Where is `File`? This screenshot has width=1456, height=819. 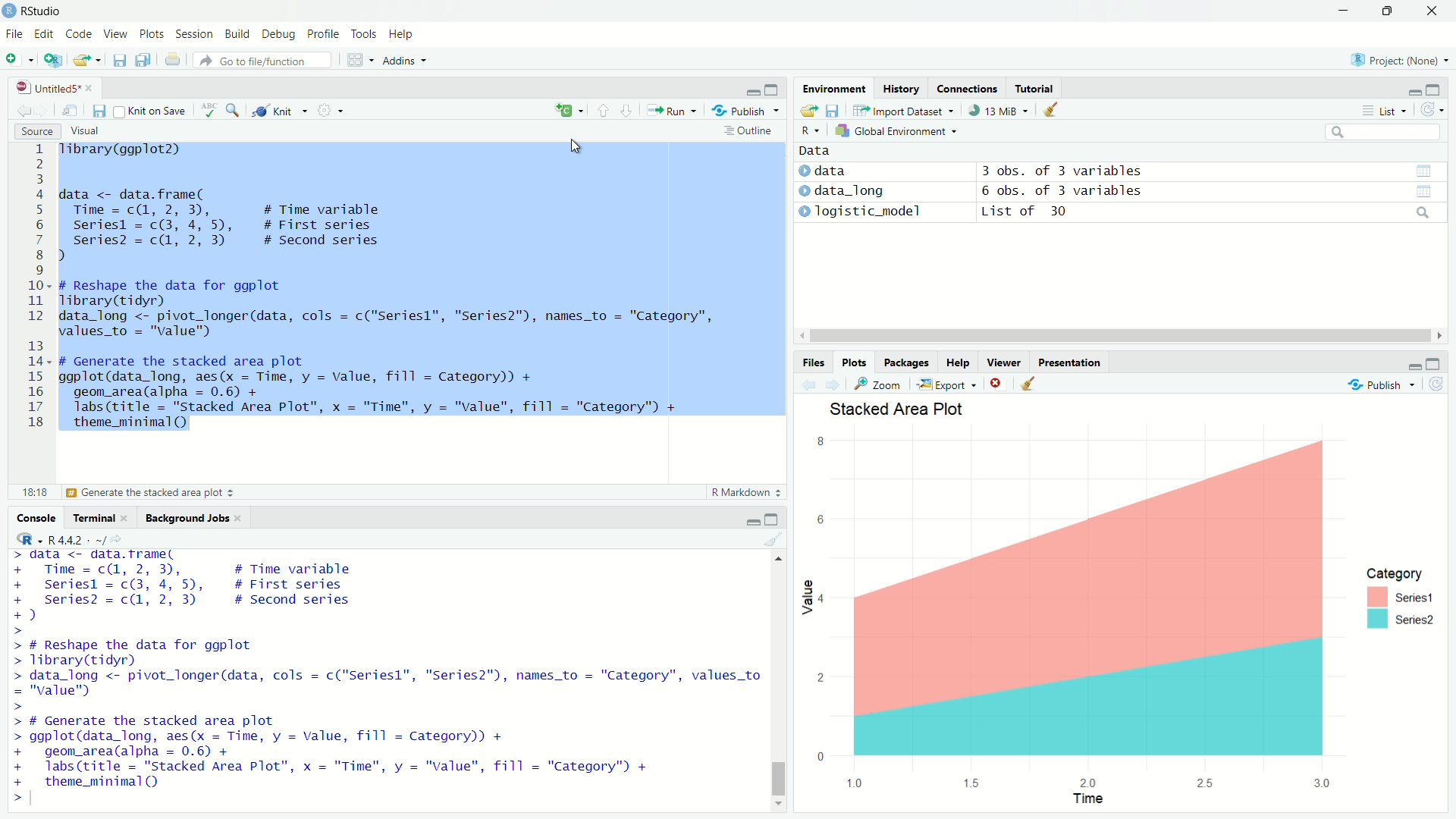
File is located at coordinates (15, 35).